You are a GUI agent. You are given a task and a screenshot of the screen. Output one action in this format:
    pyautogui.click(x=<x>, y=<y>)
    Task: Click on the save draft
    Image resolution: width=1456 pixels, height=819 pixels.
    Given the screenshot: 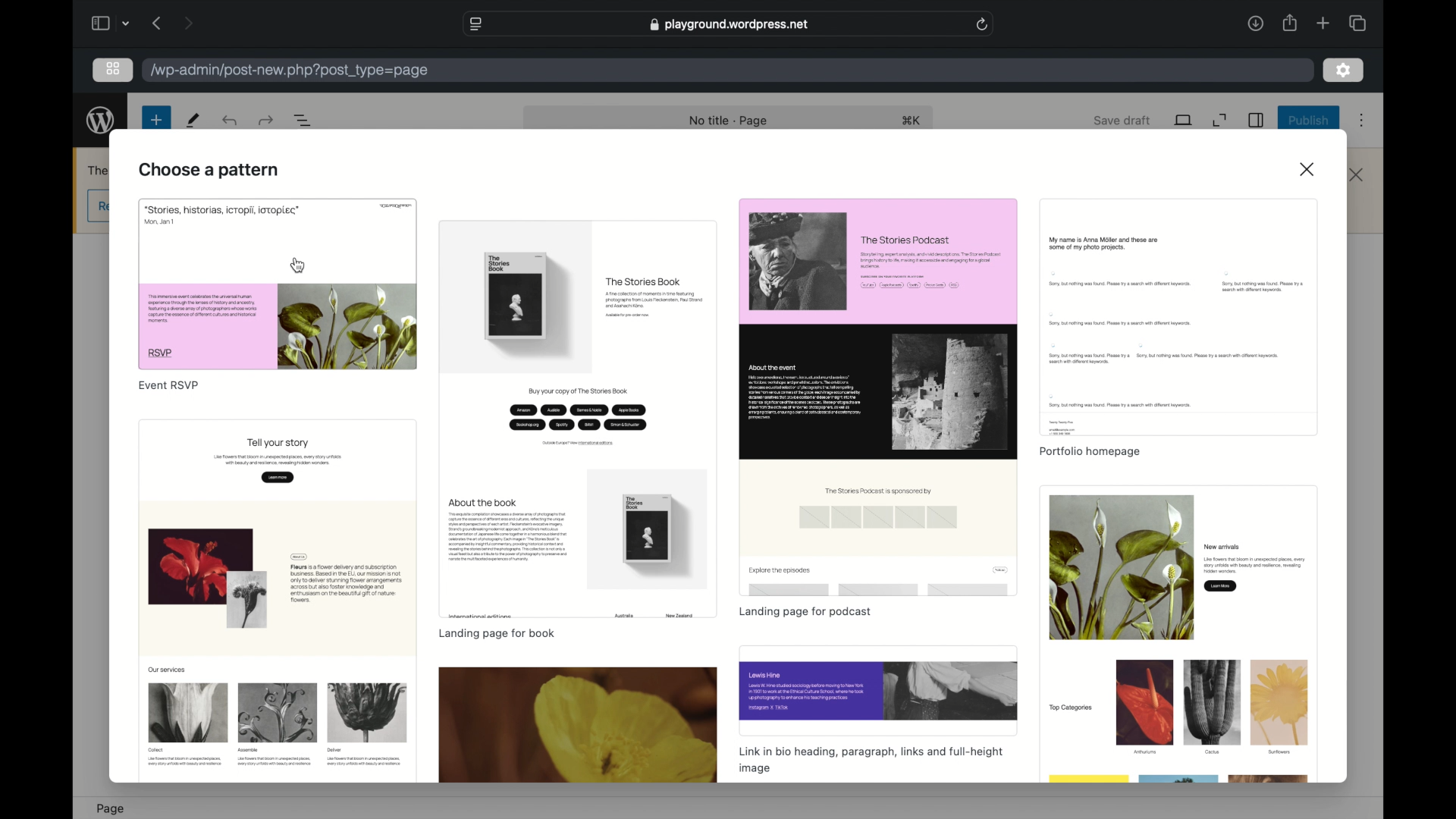 What is the action you would take?
    pyautogui.click(x=1123, y=120)
    